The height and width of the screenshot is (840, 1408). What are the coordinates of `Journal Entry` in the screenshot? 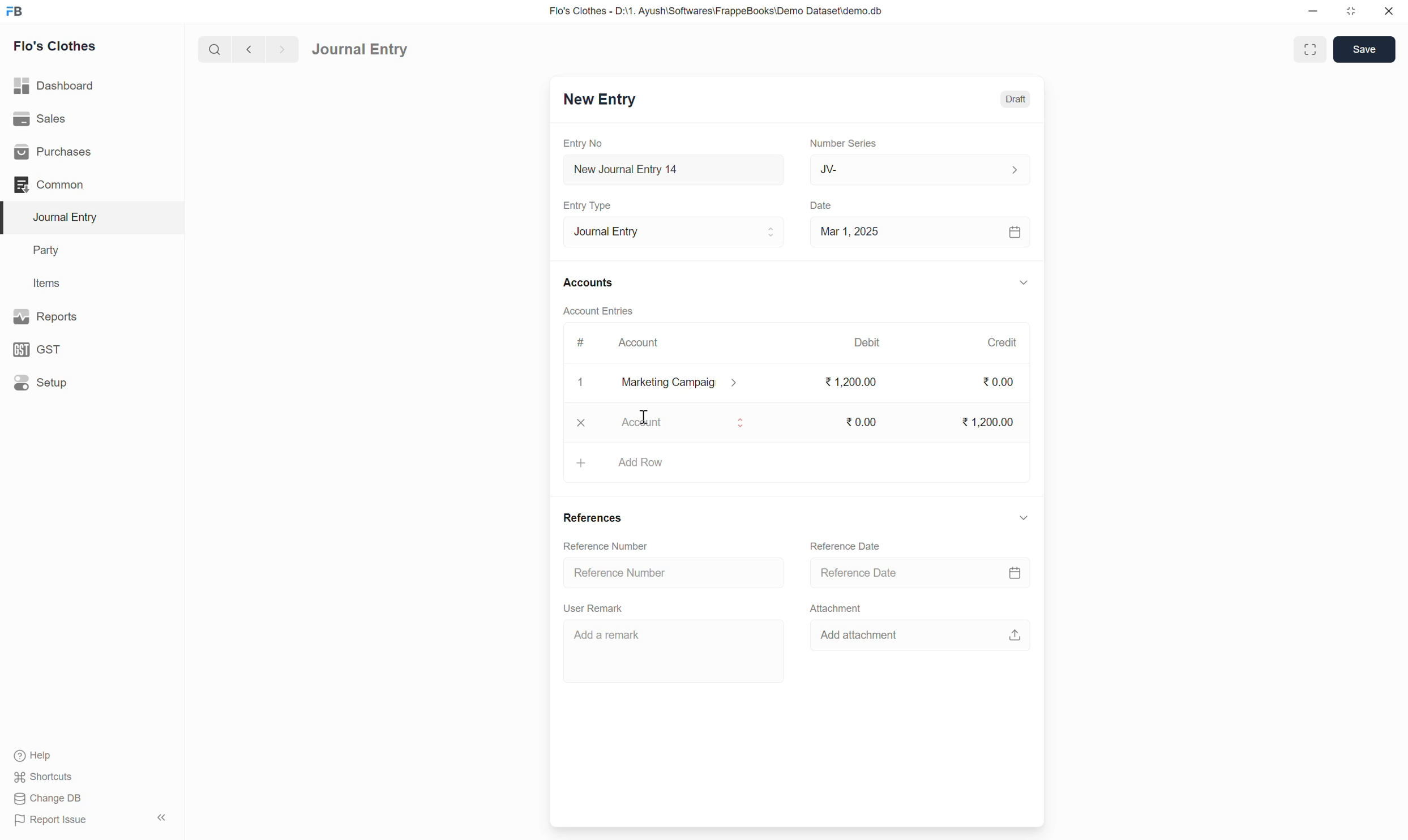 It's located at (70, 217).